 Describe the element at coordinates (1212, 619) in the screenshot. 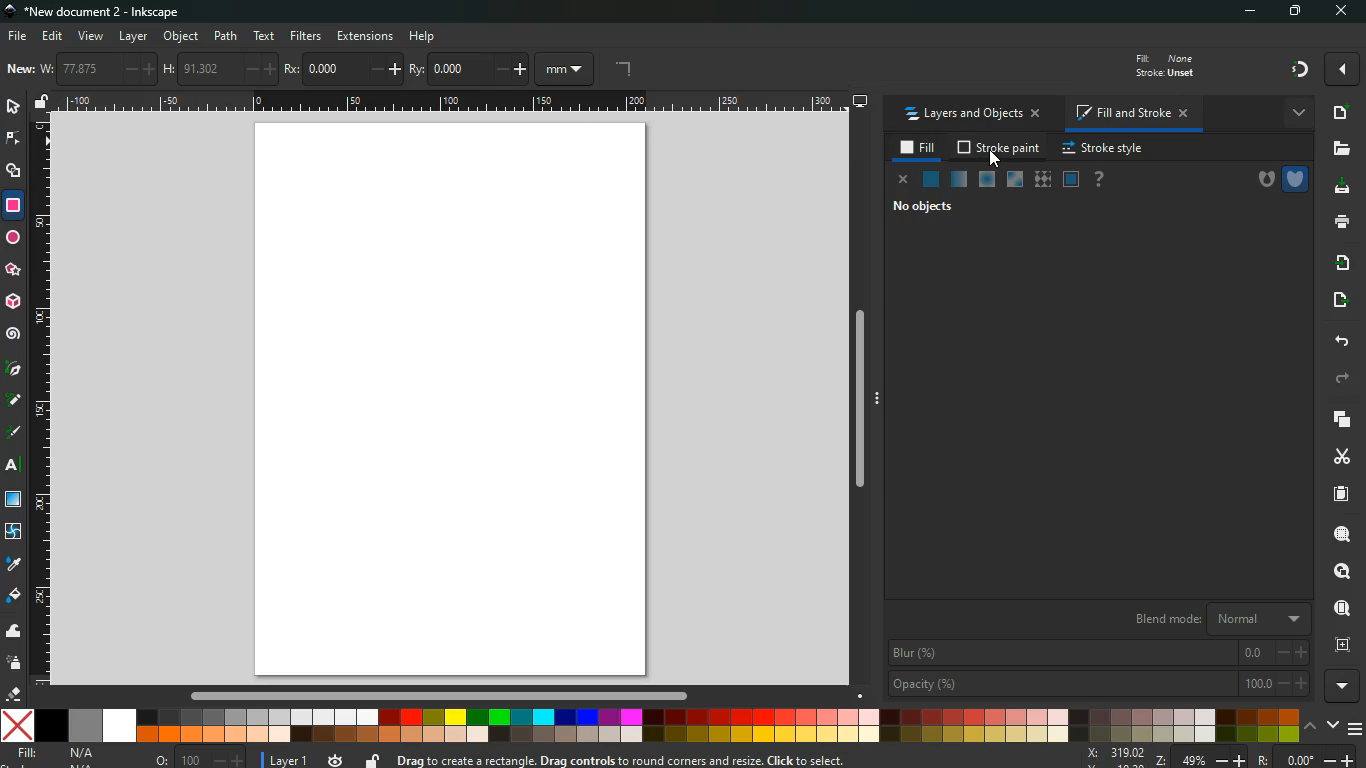

I see `blend mode` at that location.